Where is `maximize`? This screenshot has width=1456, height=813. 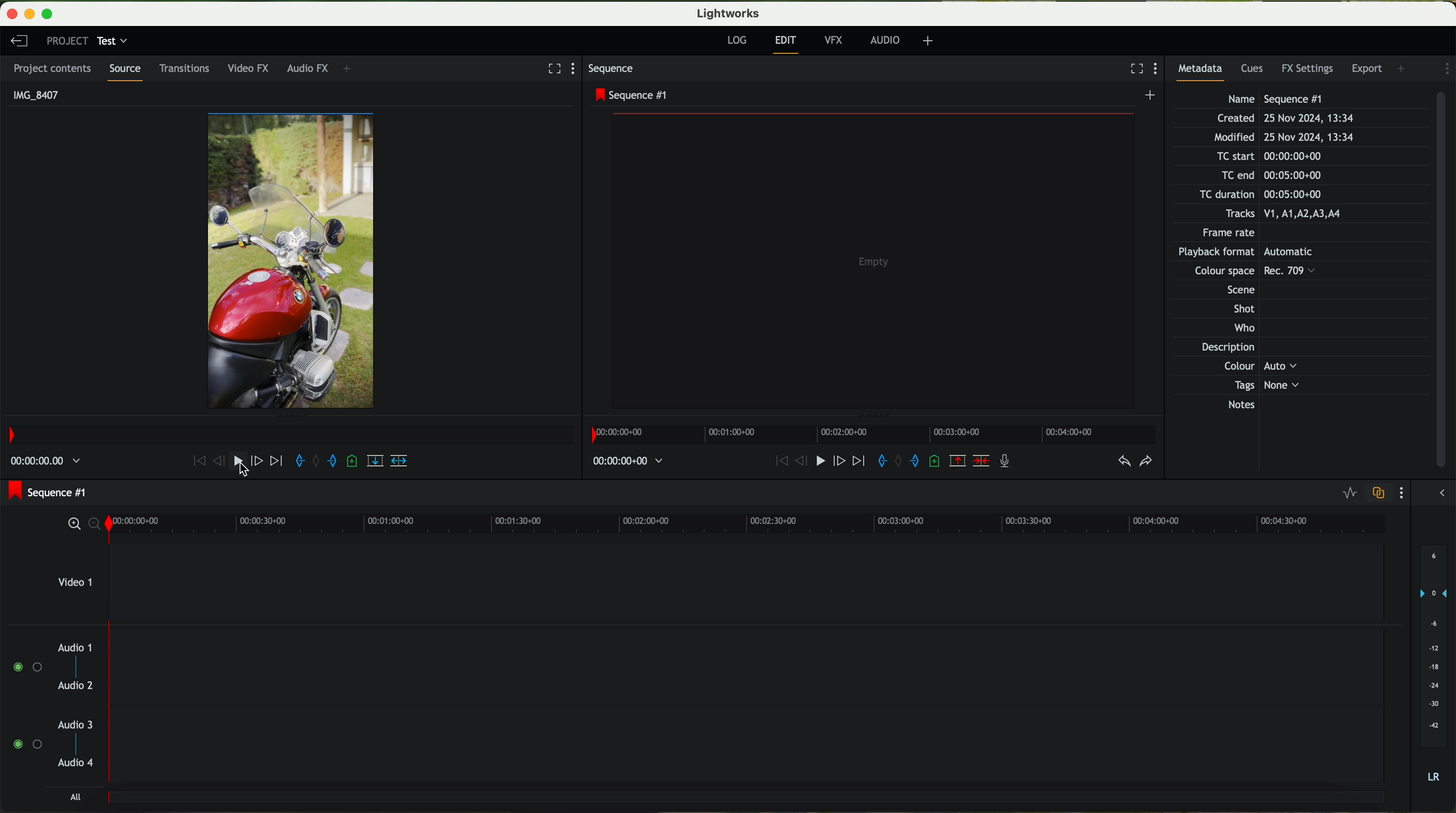
maximize is located at coordinates (54, 12).